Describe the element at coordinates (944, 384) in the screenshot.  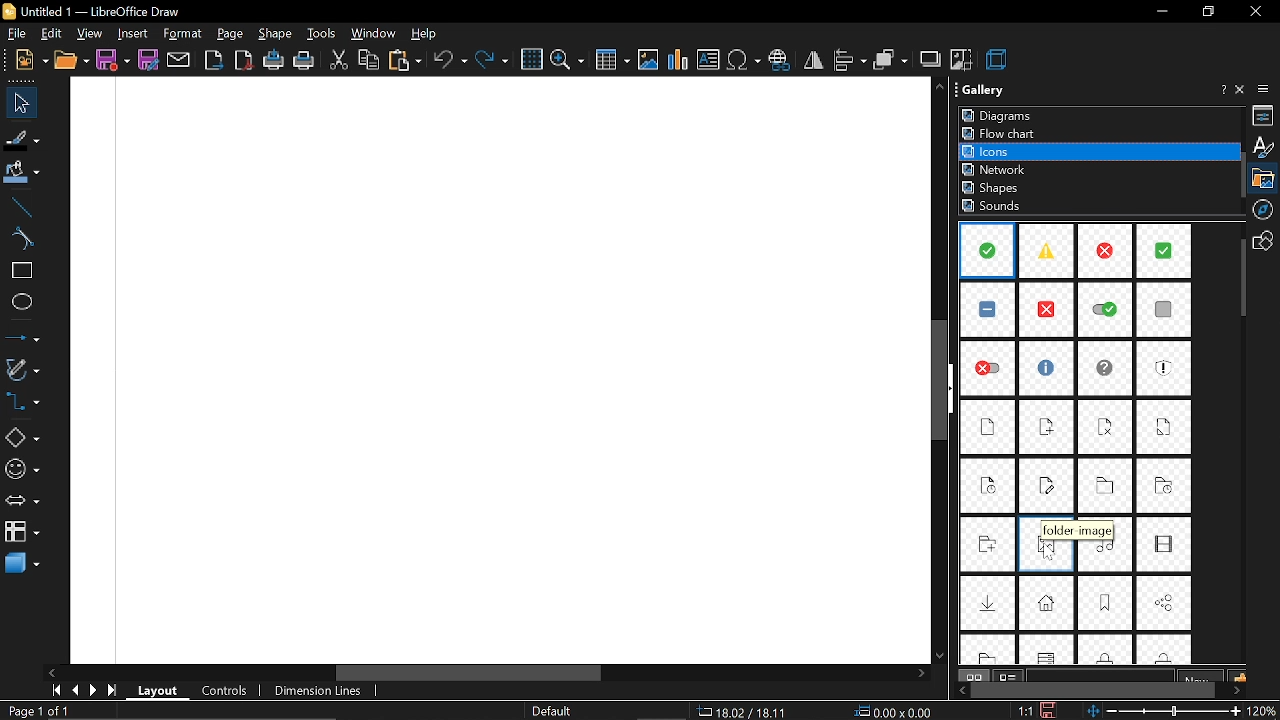
I see `vertical scrollbar` at that location.